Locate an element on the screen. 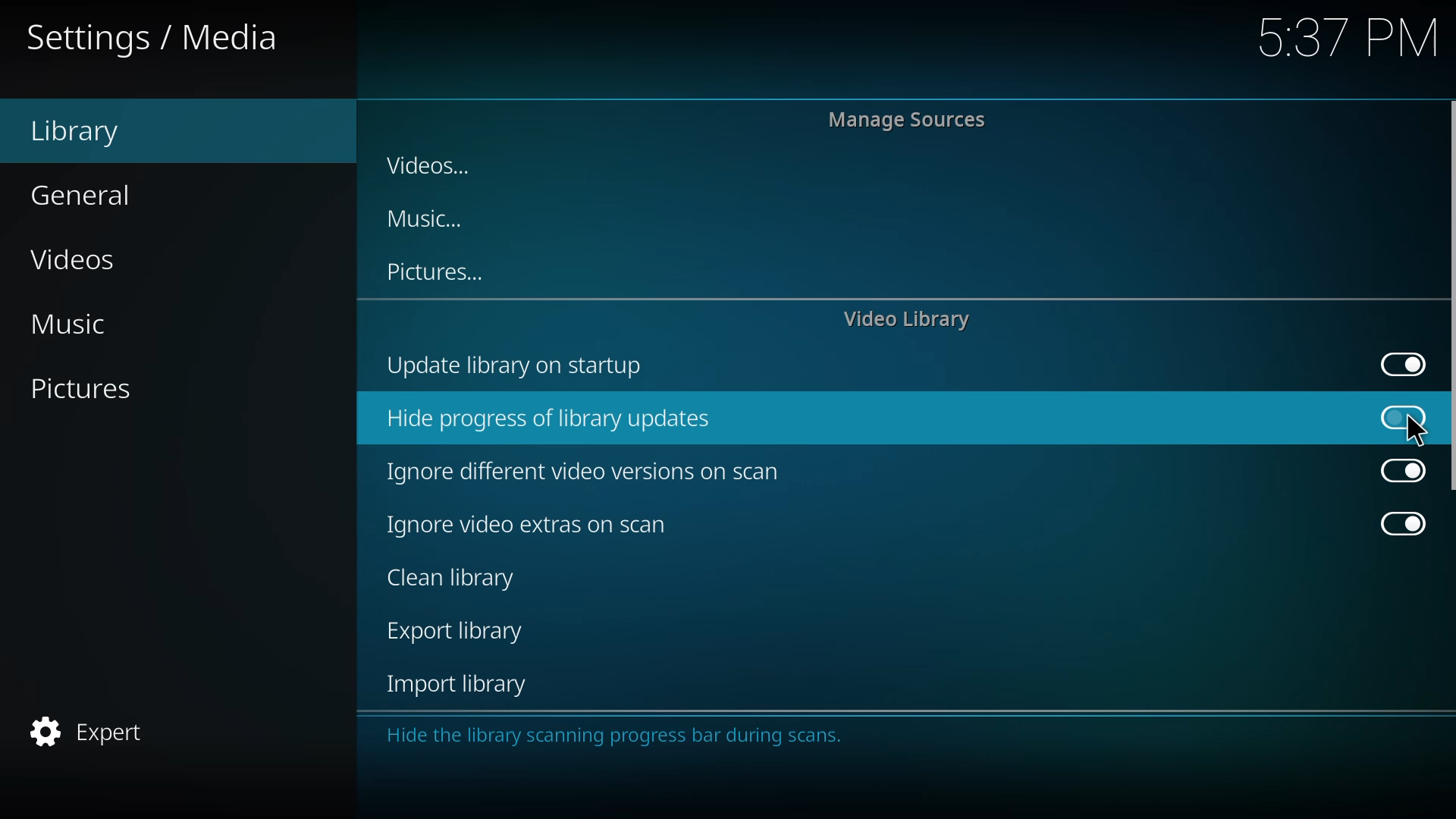  music is located at coordinates (439, 219).